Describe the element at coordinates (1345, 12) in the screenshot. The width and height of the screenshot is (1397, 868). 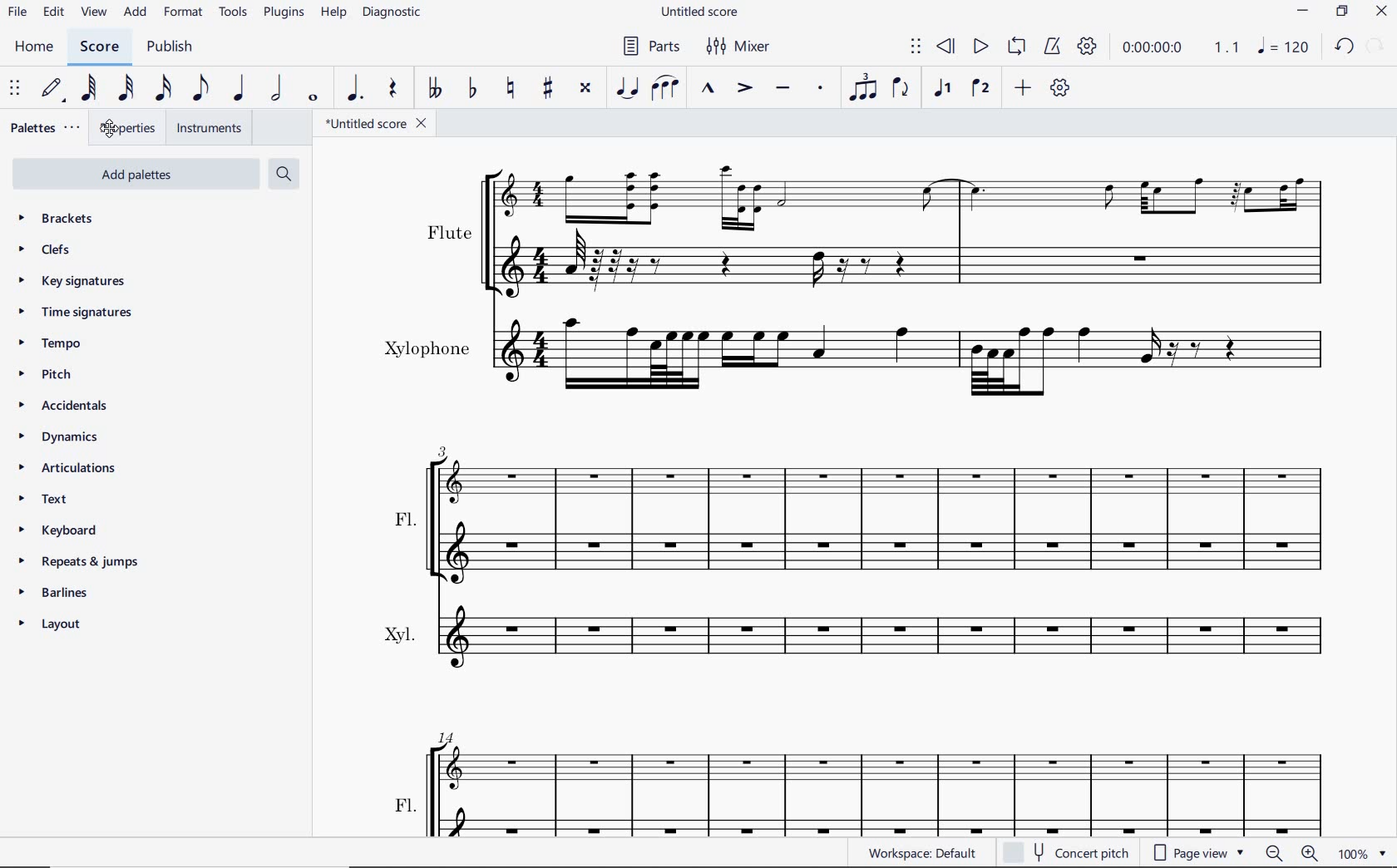
I see `RESTORE DOWN` at that location.